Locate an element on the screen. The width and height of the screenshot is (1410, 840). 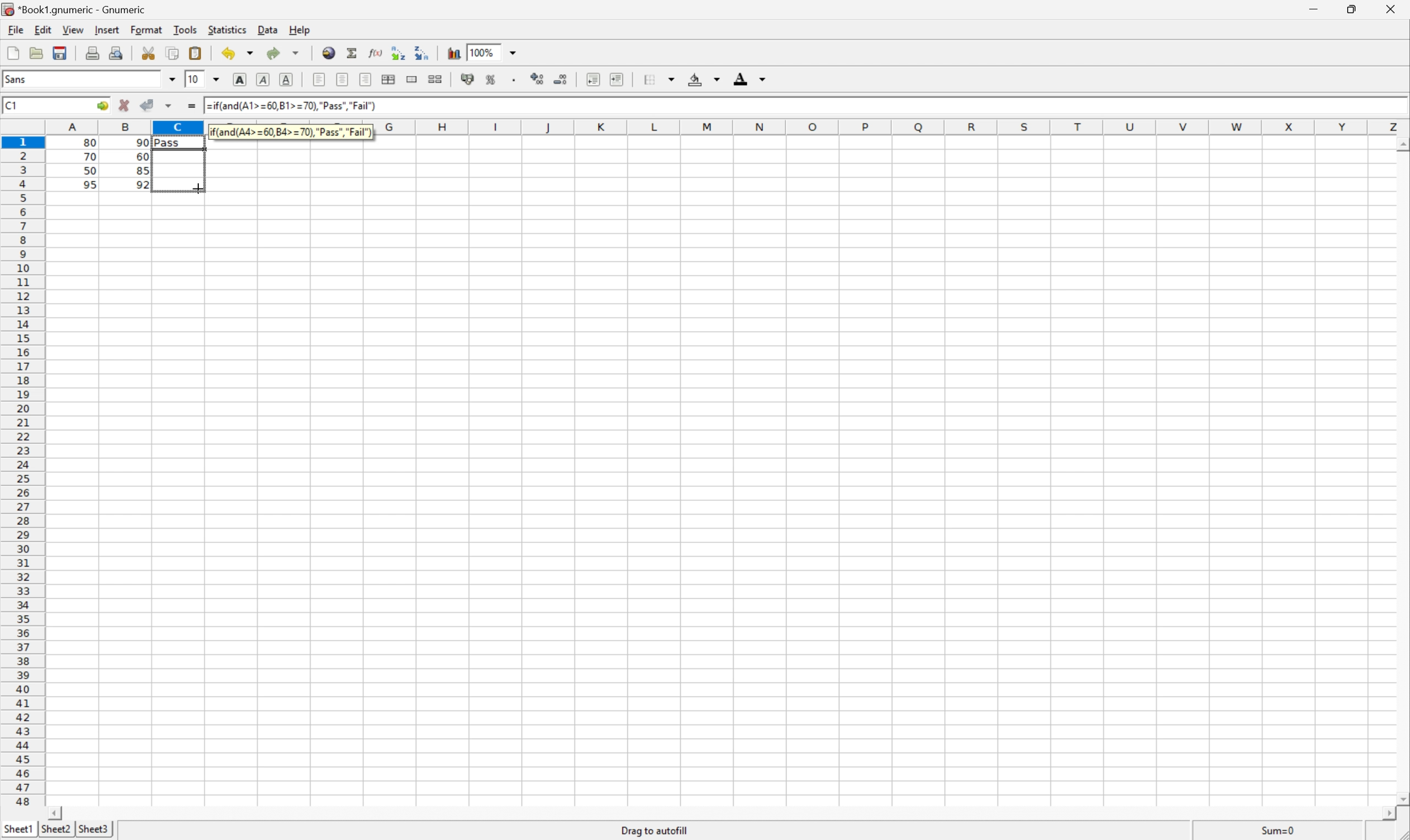
Merge ranges of cells is located at coordinates (411, 79).